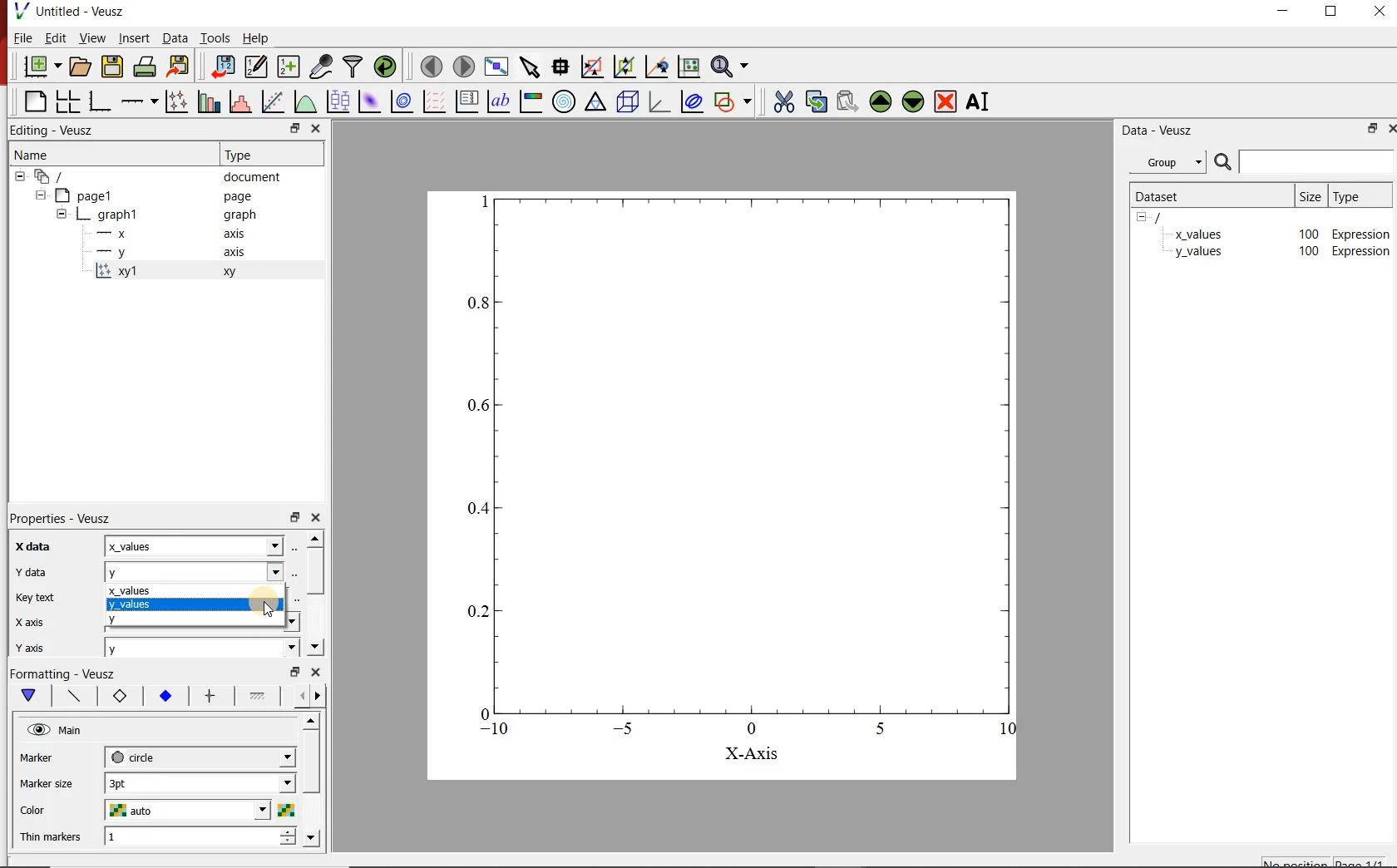  I want to click on plot 2d dataset as an image, so click(369, 101).